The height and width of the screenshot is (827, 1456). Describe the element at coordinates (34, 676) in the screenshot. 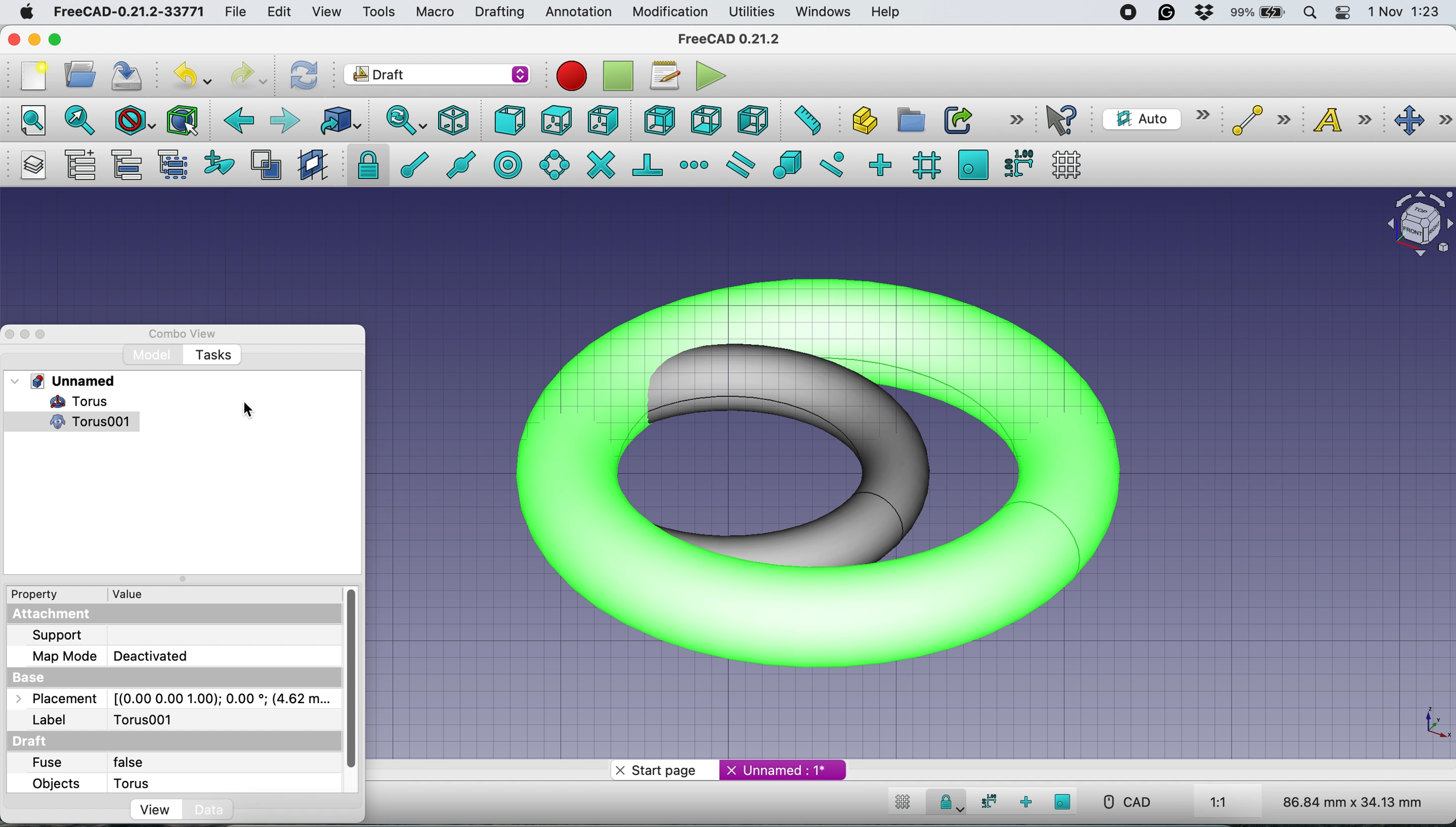

I see `Base` at that location.